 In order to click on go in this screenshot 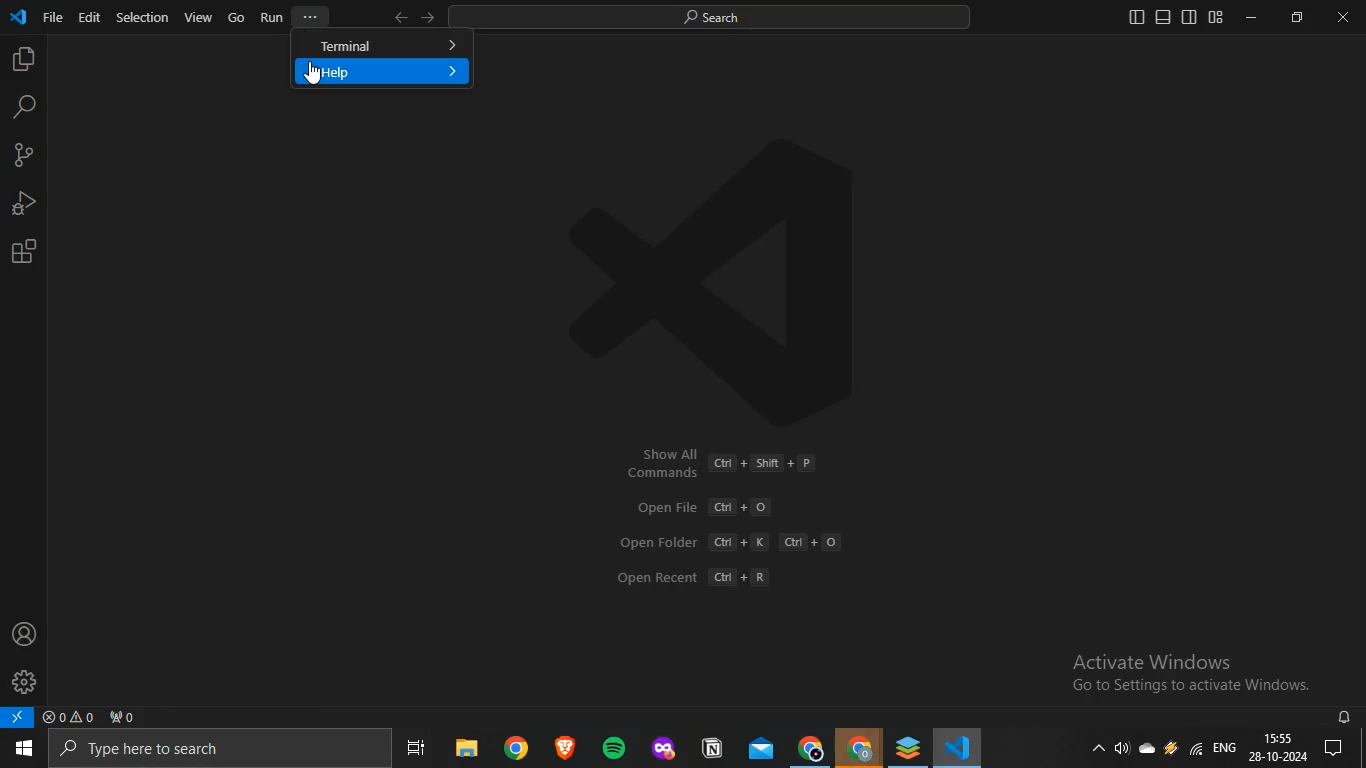, I will do `click(237, 17)`.